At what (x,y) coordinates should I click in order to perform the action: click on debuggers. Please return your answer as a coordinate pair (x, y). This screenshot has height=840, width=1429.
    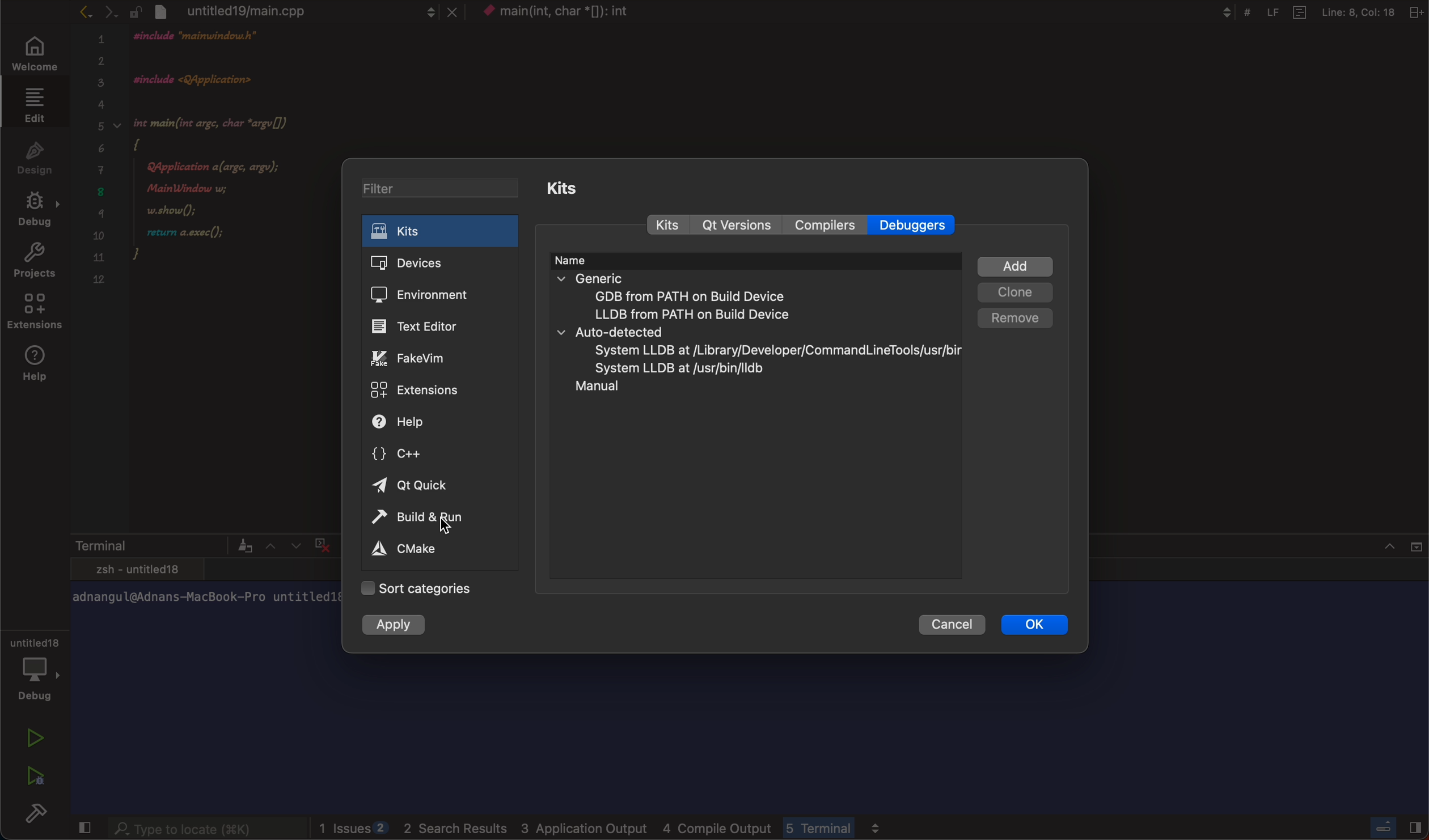
    Looking at the image, I should click on (916, 224).